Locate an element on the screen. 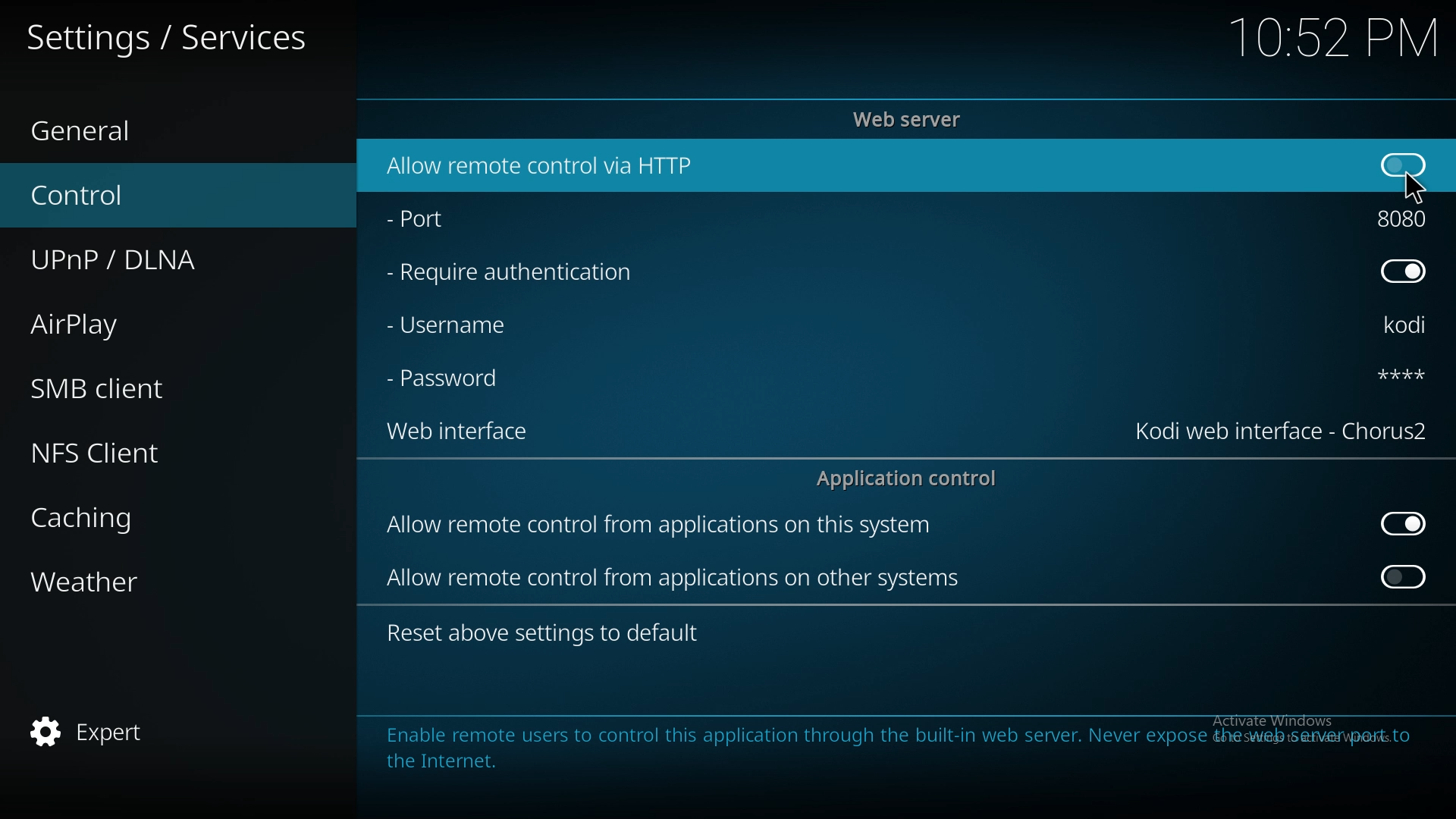  password is located at coordinates (449, 380).